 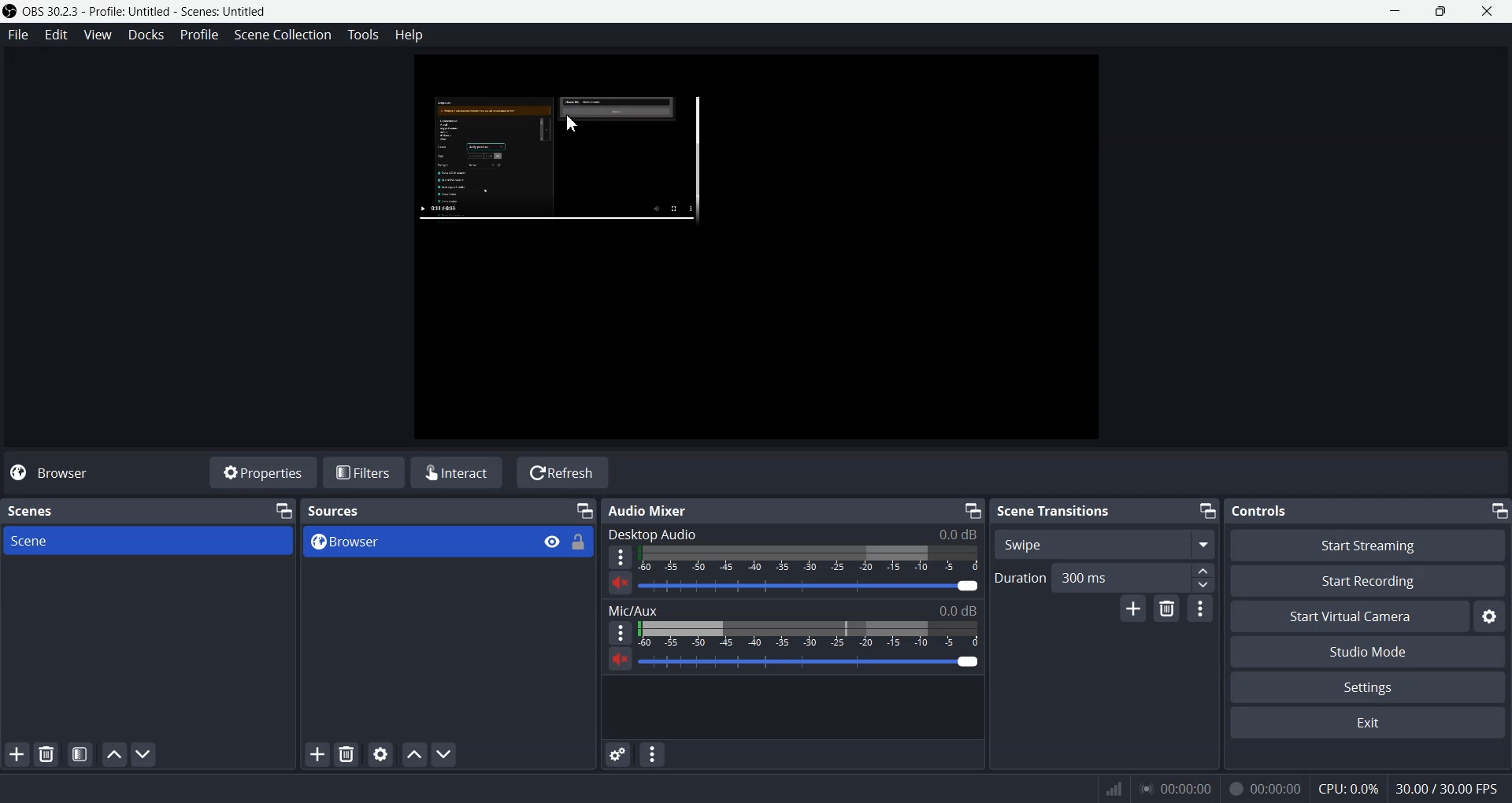 I want to click on Volume Adjuster, so click(x=813, y=586).